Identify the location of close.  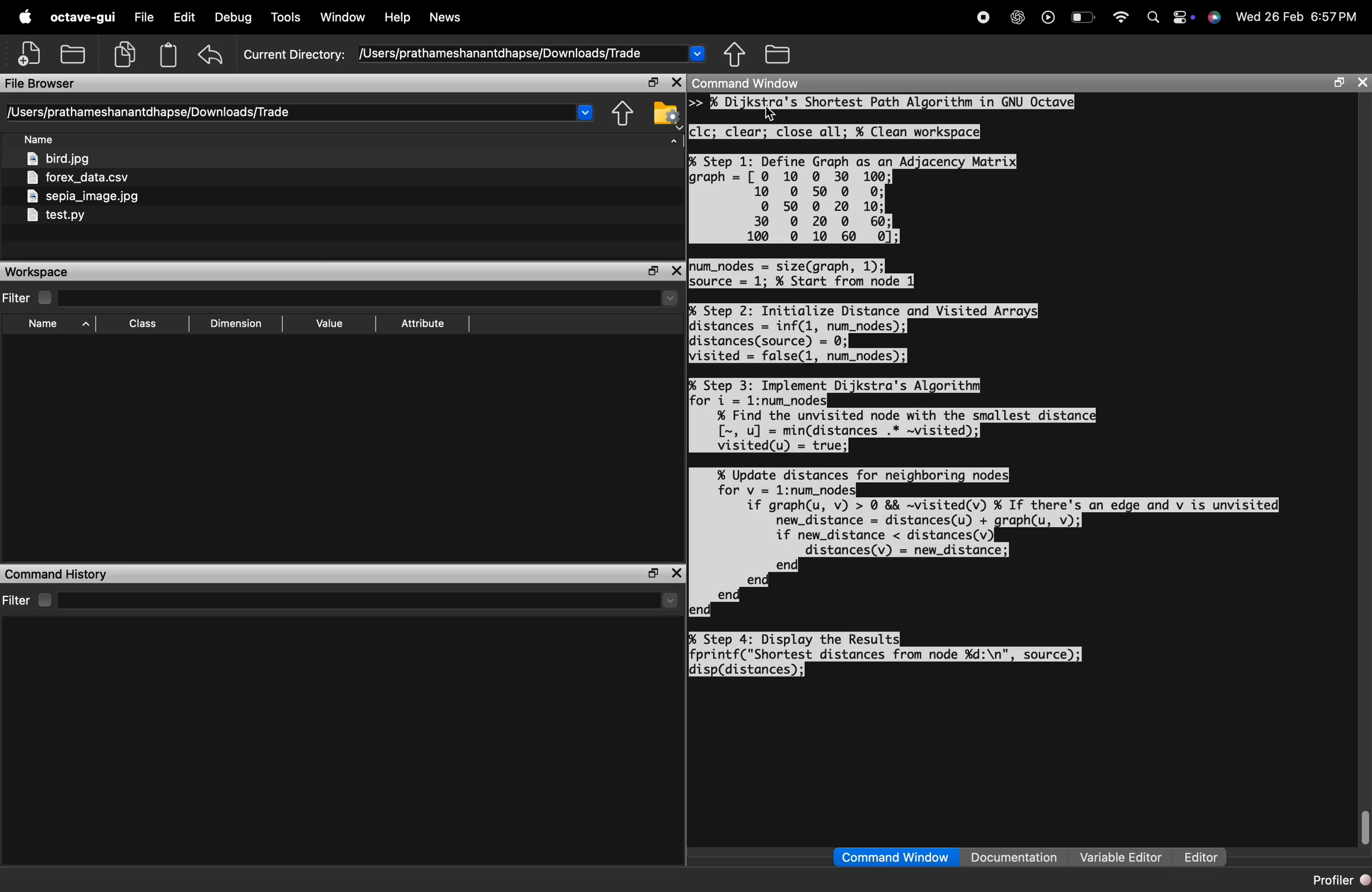
(674, 82).